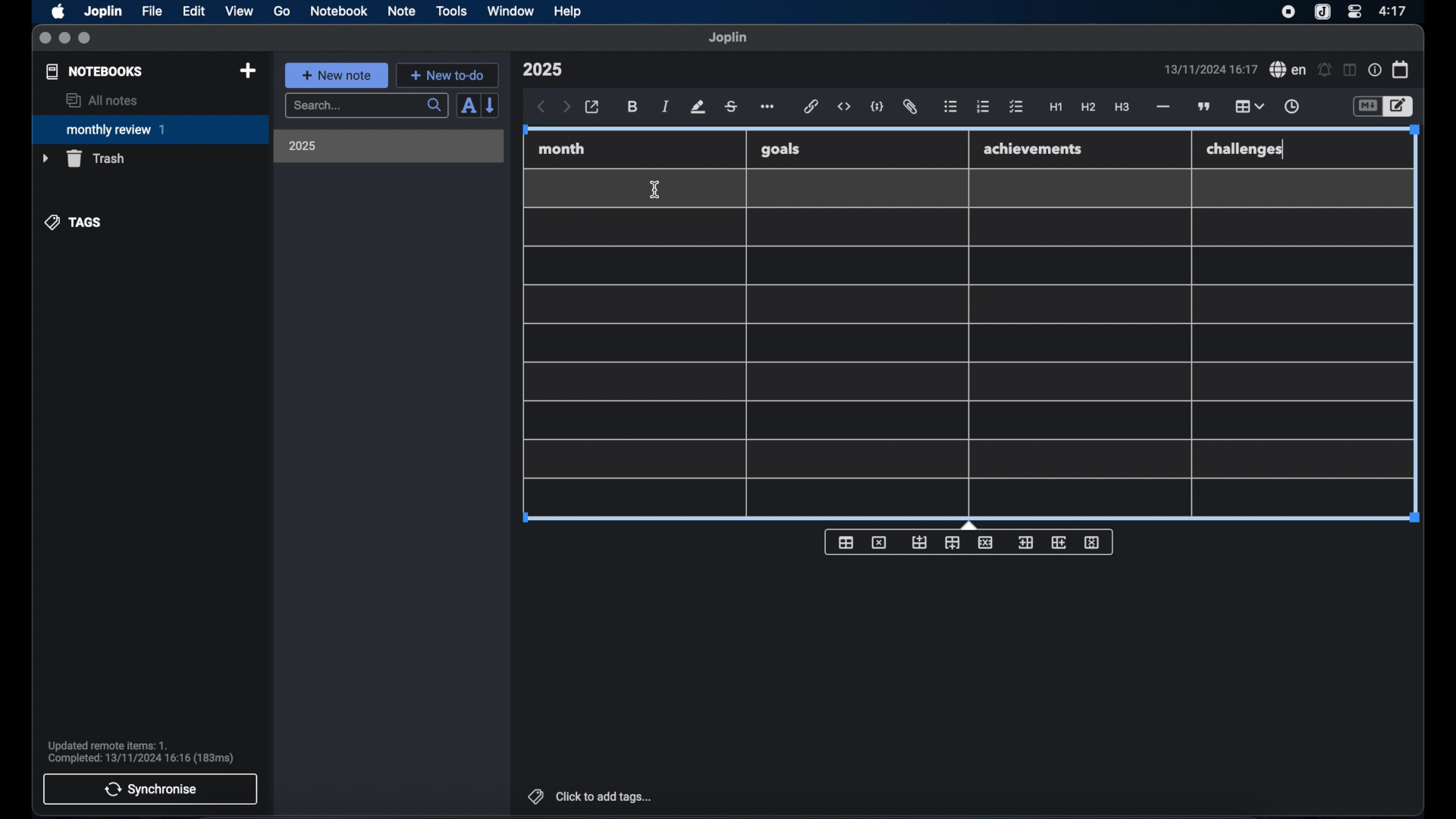 Image resolution: width=1456 pixels, height=819 pixels. I want to click on insert row after, so click(952, 543).